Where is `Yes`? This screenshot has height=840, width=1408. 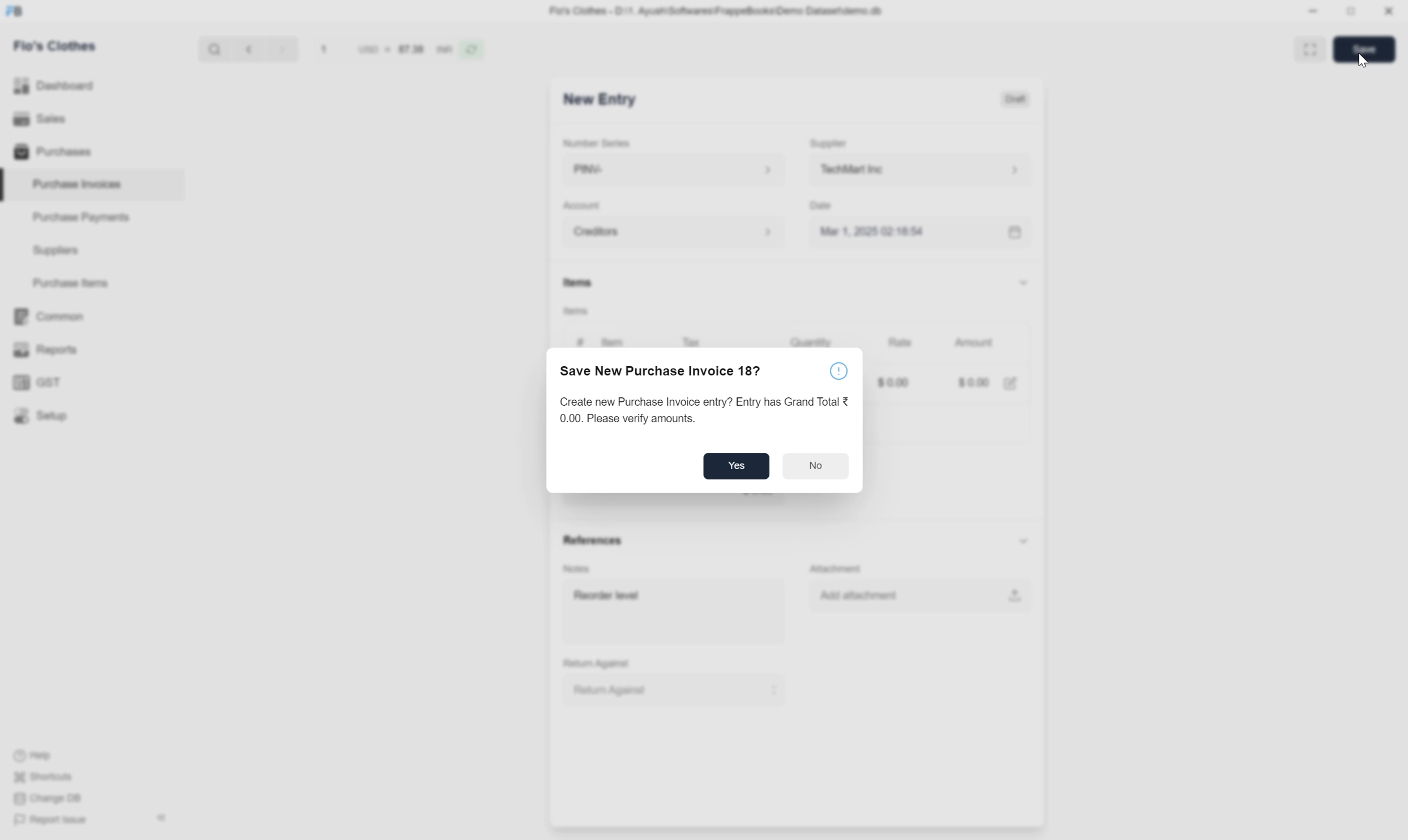
Yes is located at coordinates (737, 466).